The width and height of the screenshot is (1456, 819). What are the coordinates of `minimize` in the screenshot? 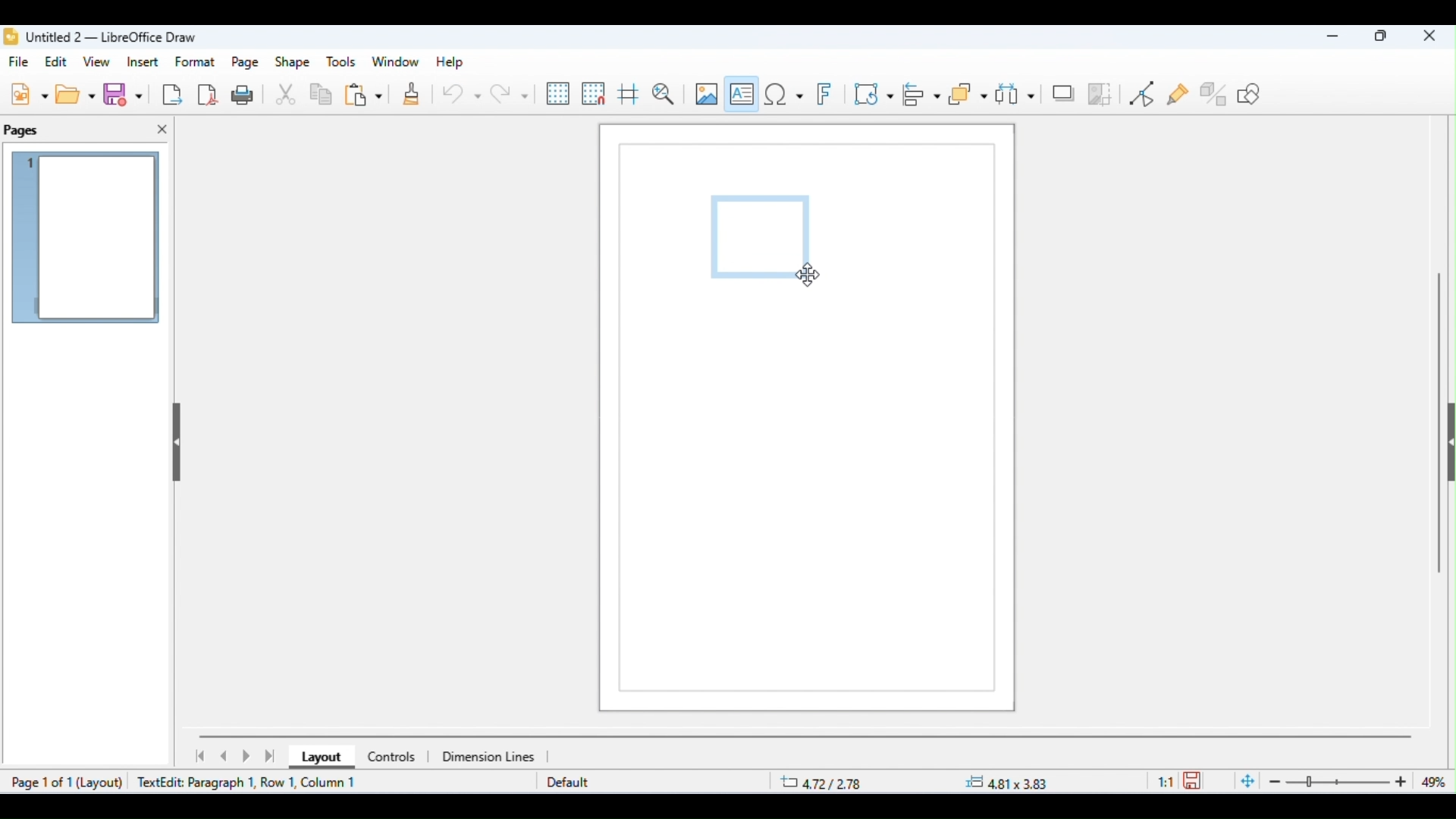 It's located at (1328, 39).